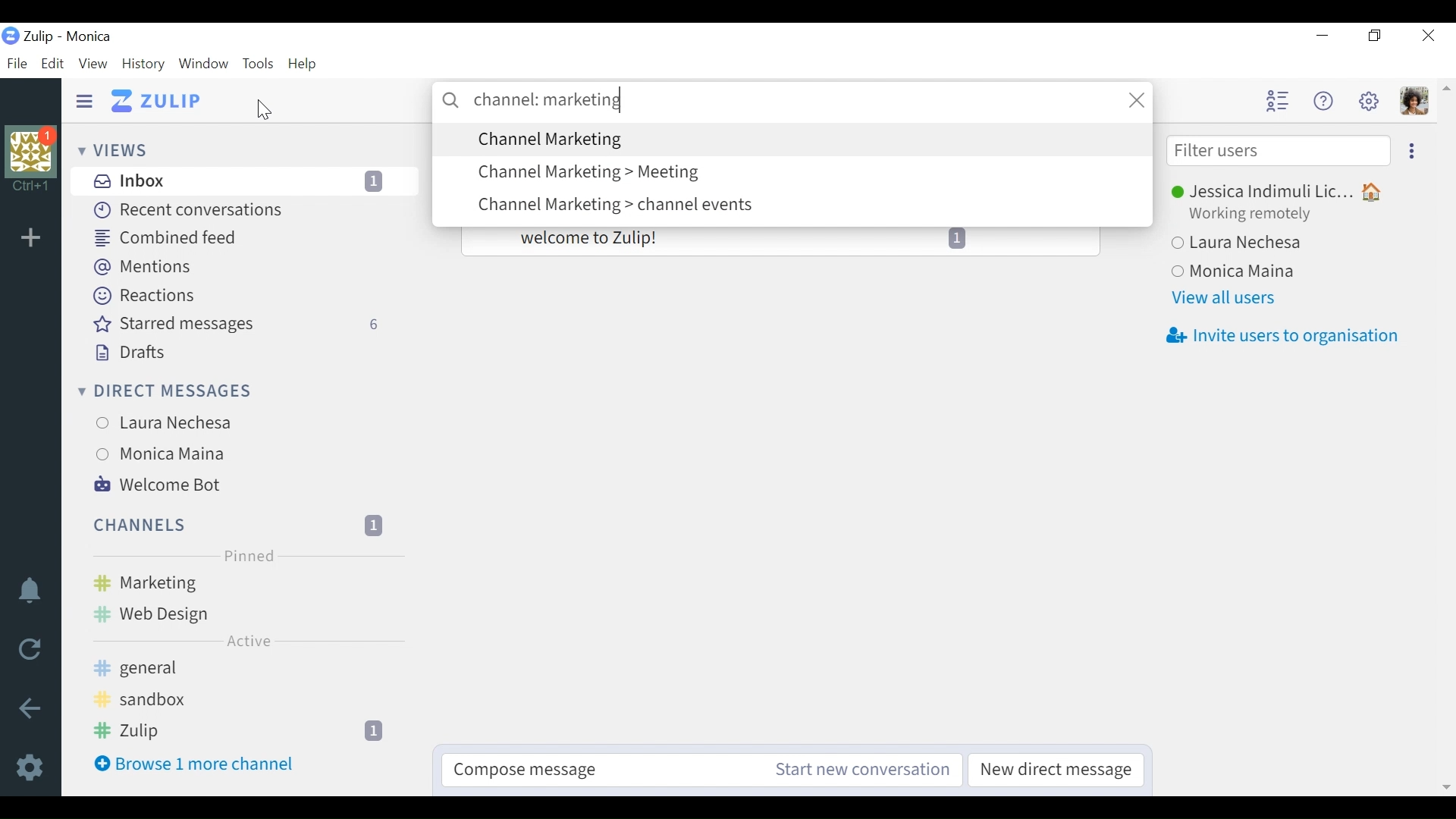 The image size is (1456, 819). Describe the element at coordinates (591, 769) in the screenshot. I see `Compose message` at that location.